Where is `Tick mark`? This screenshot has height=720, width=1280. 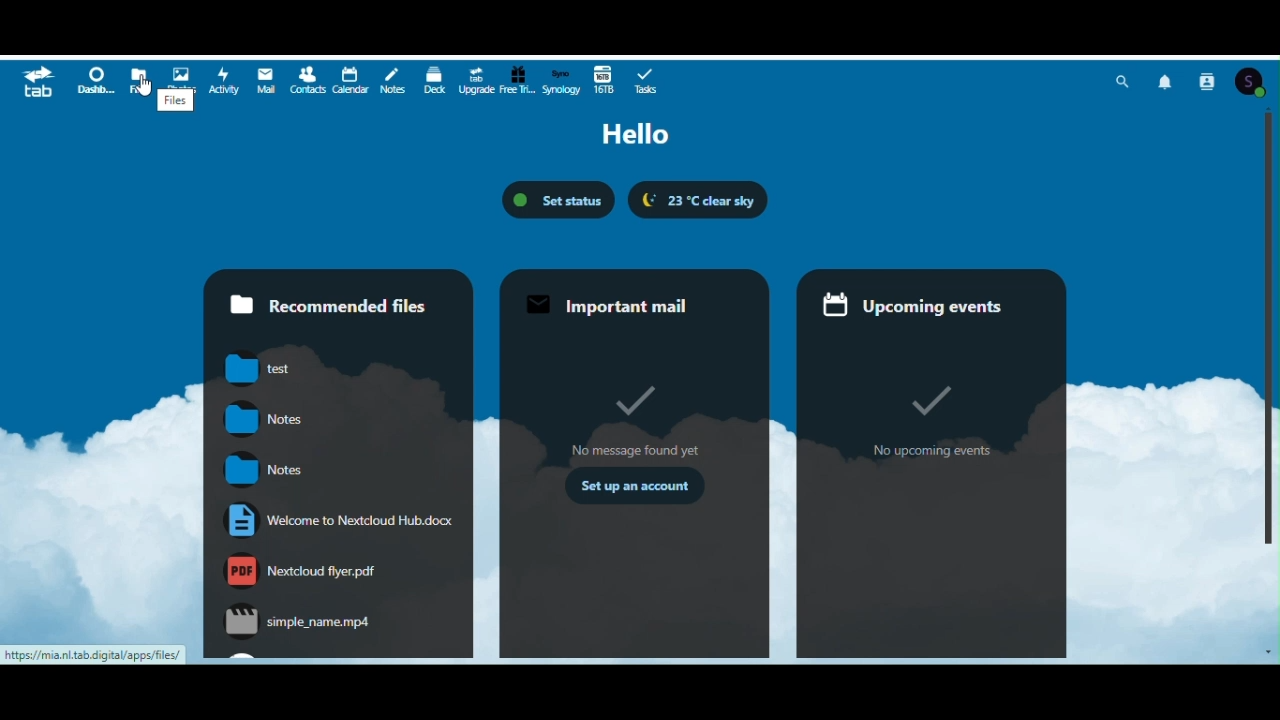
Tick mark is located at coordinates (639, 403).